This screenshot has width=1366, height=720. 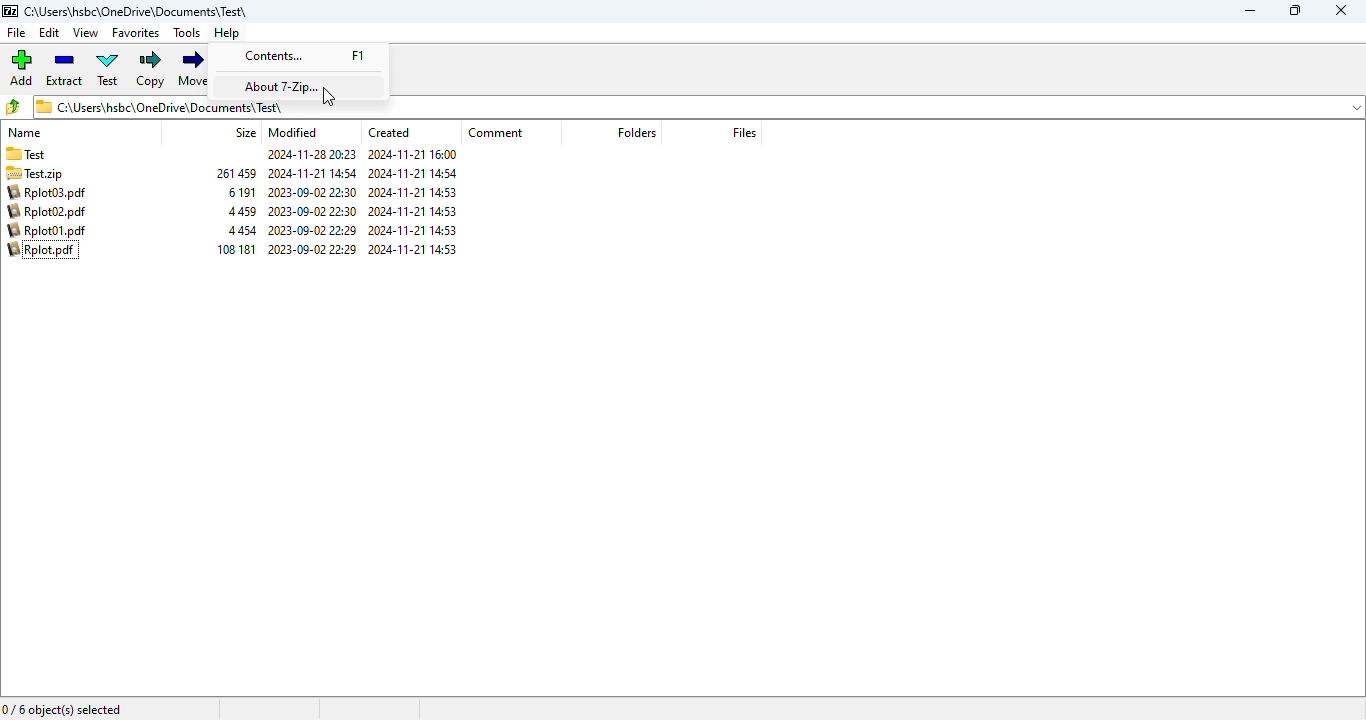 What do you see at coordinates (498, 132) in the screenshot?
I see `comment` at bounding box center [498, 132].